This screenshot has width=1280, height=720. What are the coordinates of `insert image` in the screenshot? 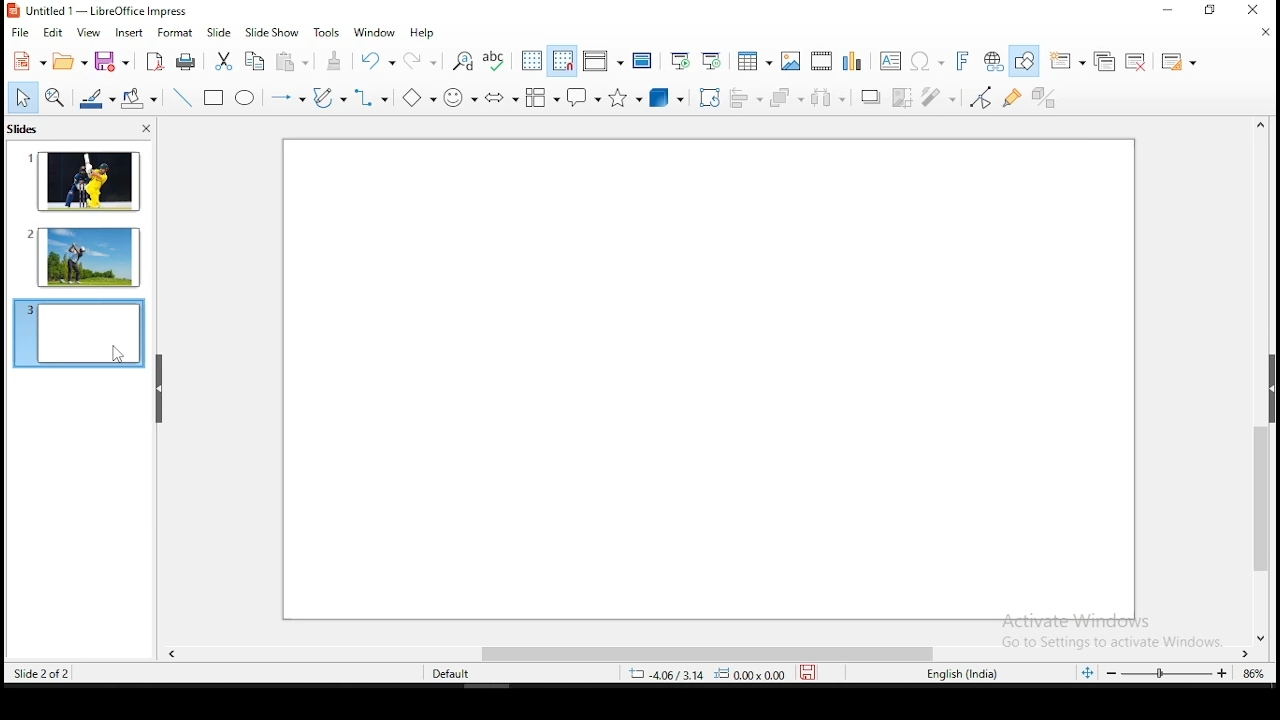 It's located at (791, 60).